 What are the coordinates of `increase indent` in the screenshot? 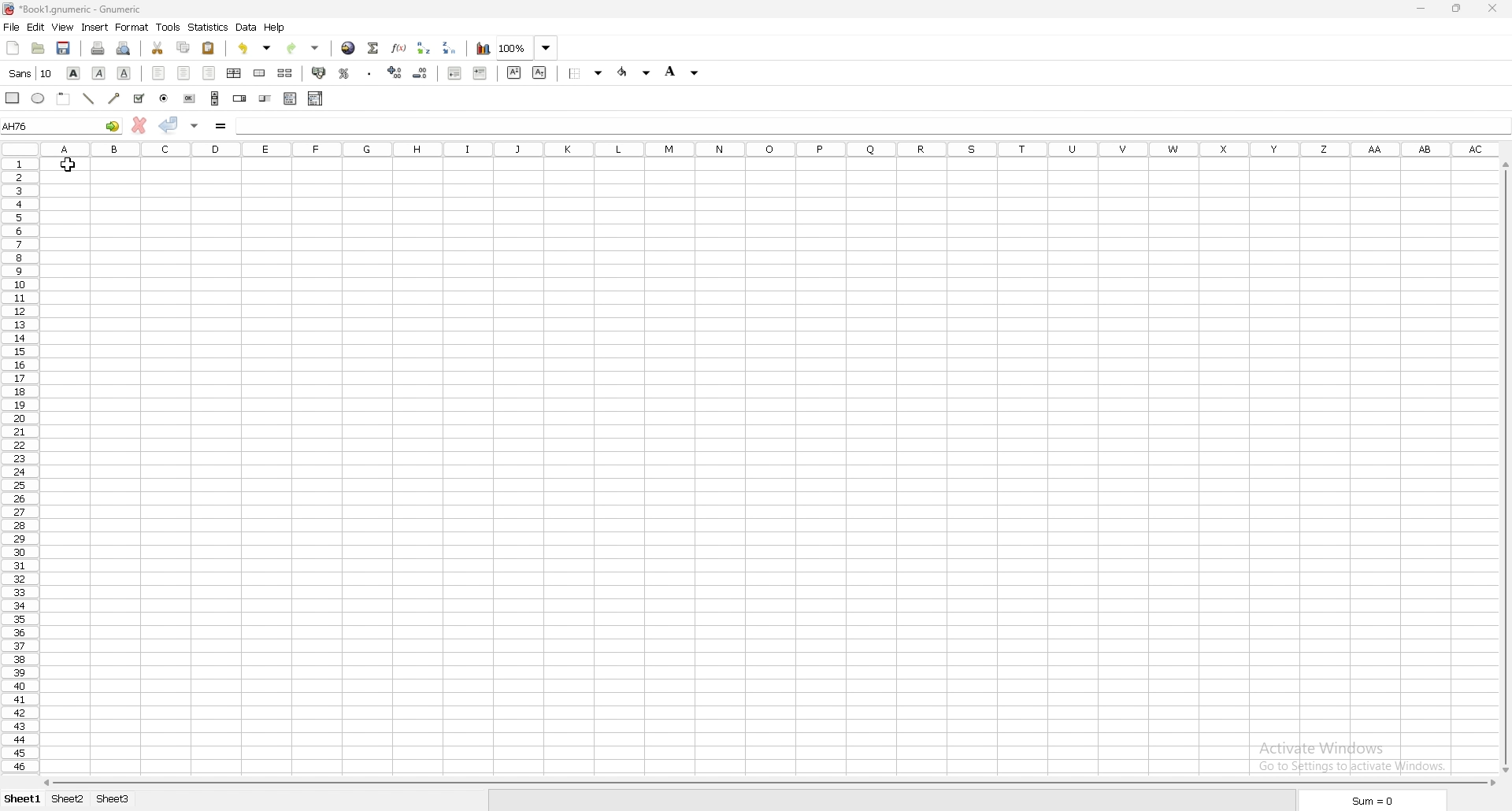 It's located at (481, 73).